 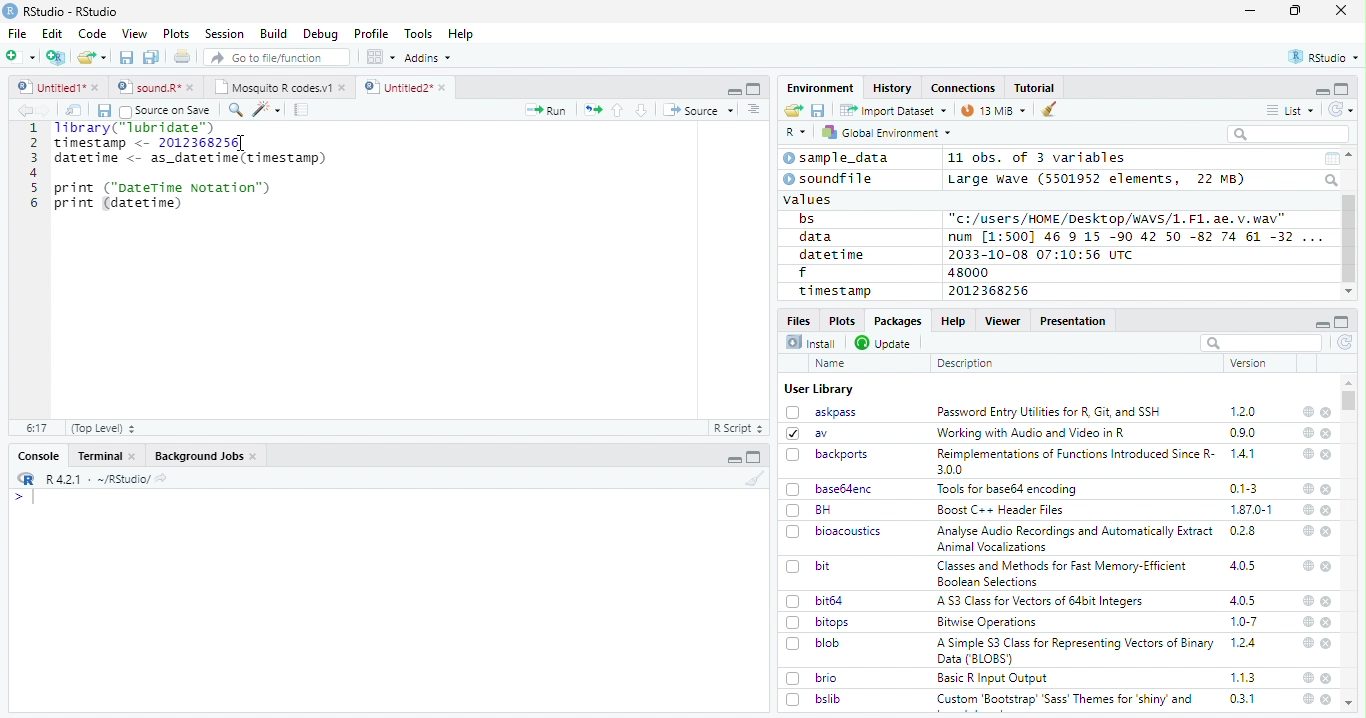 What do you see at coordinates (962, 88) in the screenshot?
I see `Connections` at bounding box center [962, 88].